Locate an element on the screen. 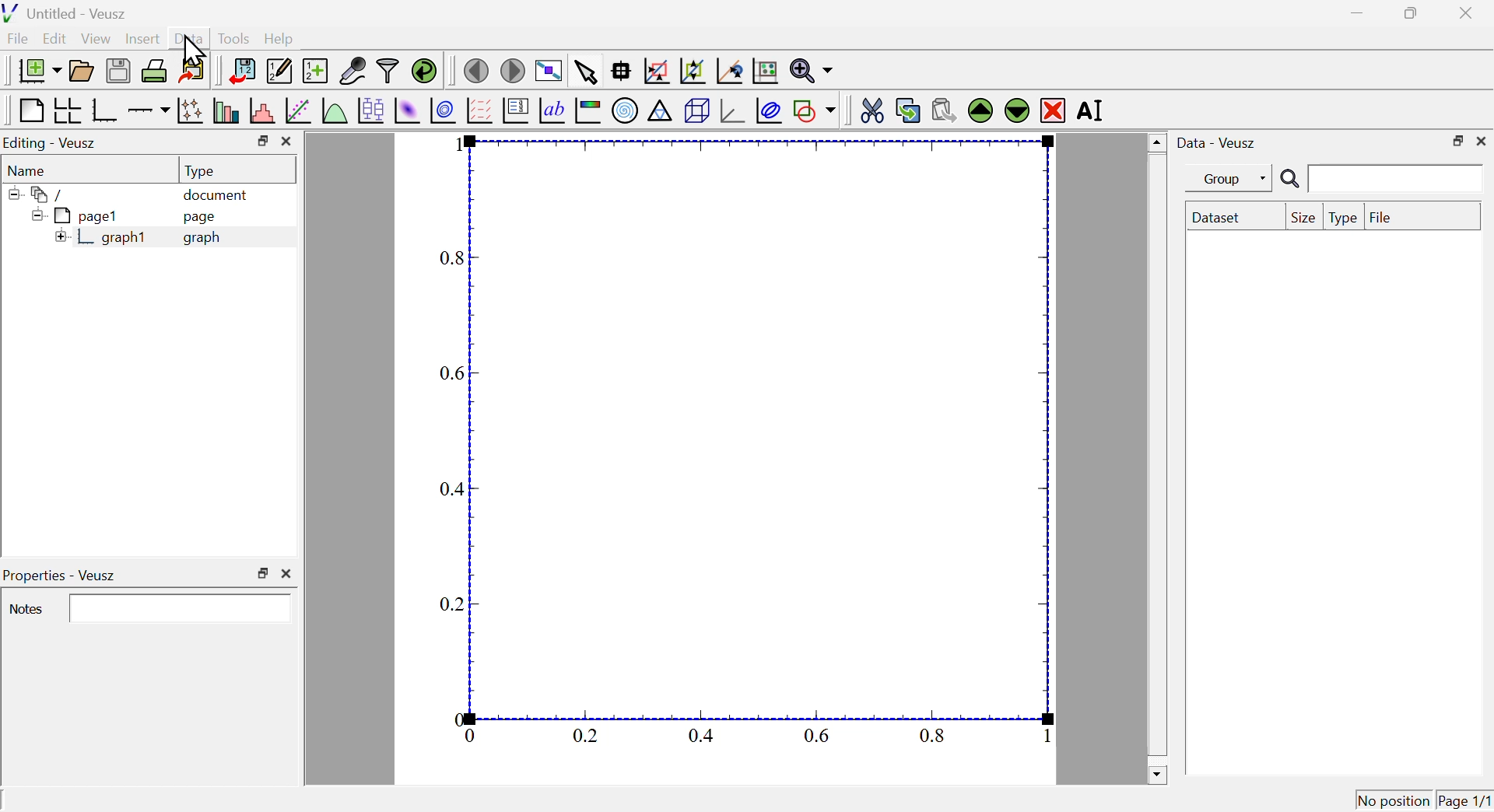  Data is located at coordinates (189, 37).